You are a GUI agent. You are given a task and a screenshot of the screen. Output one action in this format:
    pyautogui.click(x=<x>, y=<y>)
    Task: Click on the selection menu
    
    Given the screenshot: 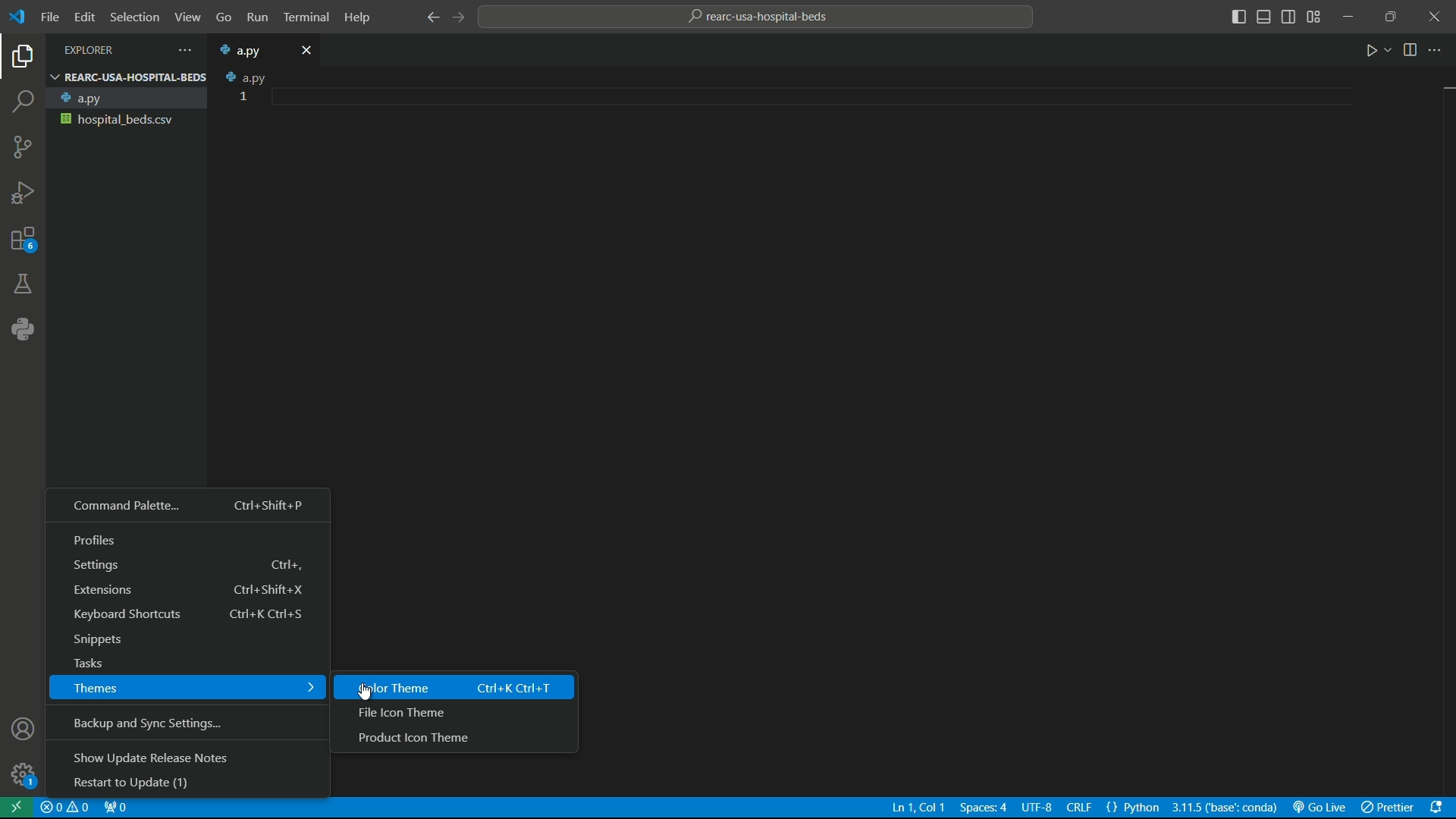 What is the action you would take?
    pyautogui.click(x=132, y=17)
    